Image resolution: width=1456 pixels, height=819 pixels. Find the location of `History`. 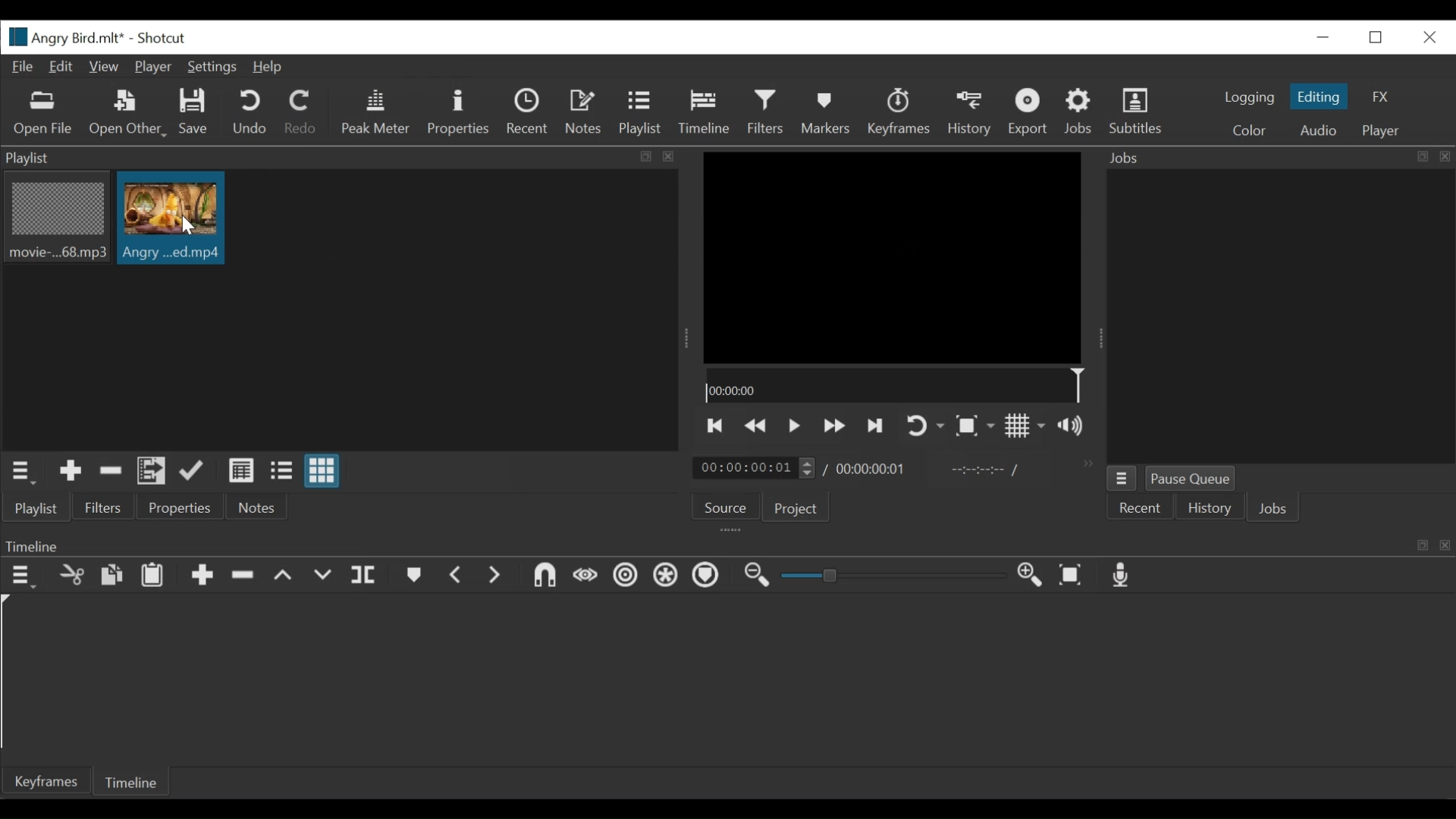

History is located at coordinates (970, 114).